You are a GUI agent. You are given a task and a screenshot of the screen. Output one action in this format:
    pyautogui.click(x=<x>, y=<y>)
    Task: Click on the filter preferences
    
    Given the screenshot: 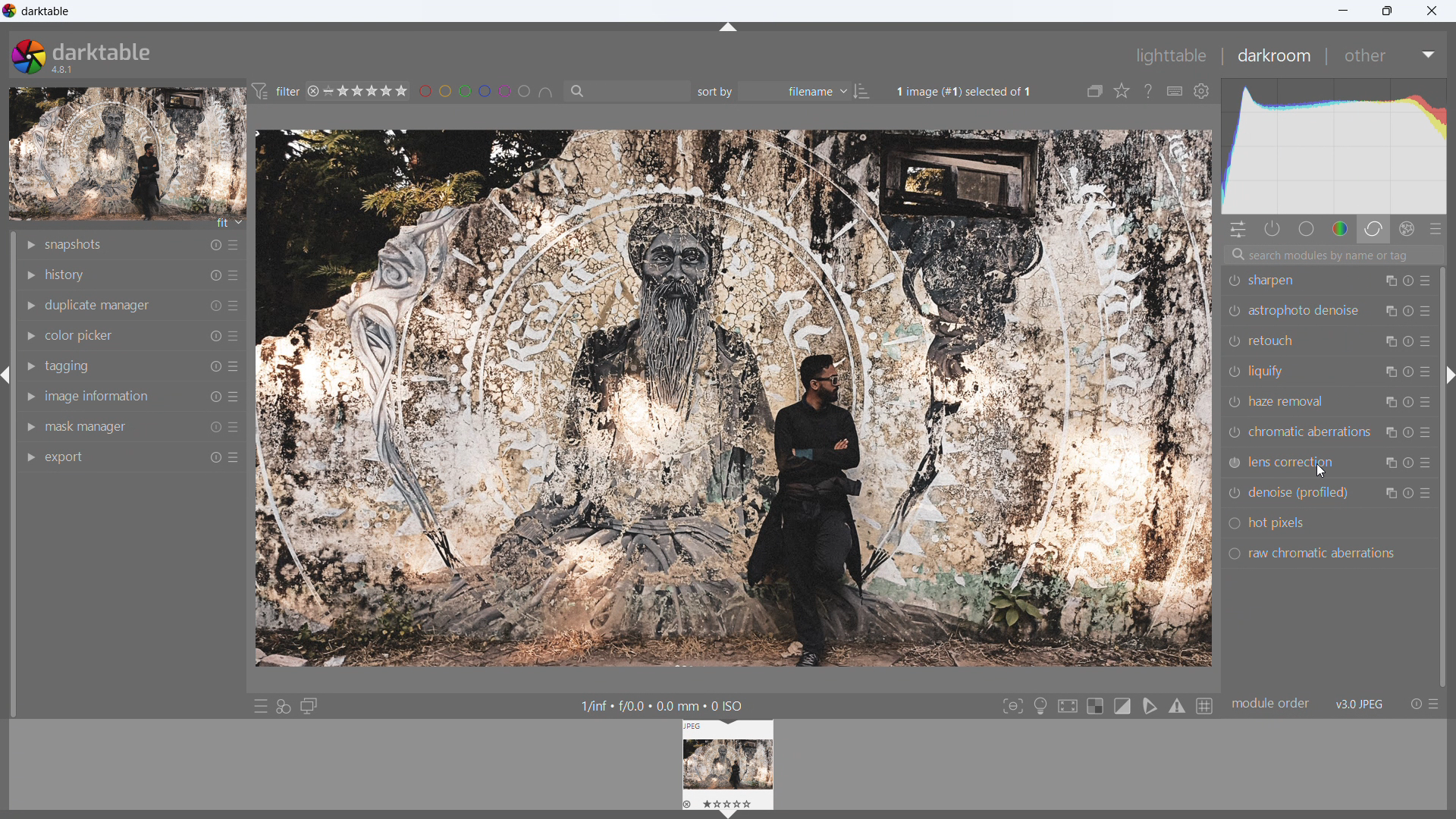 What is the action you would take?
    pyautogui.click(x=276, y=92)
    